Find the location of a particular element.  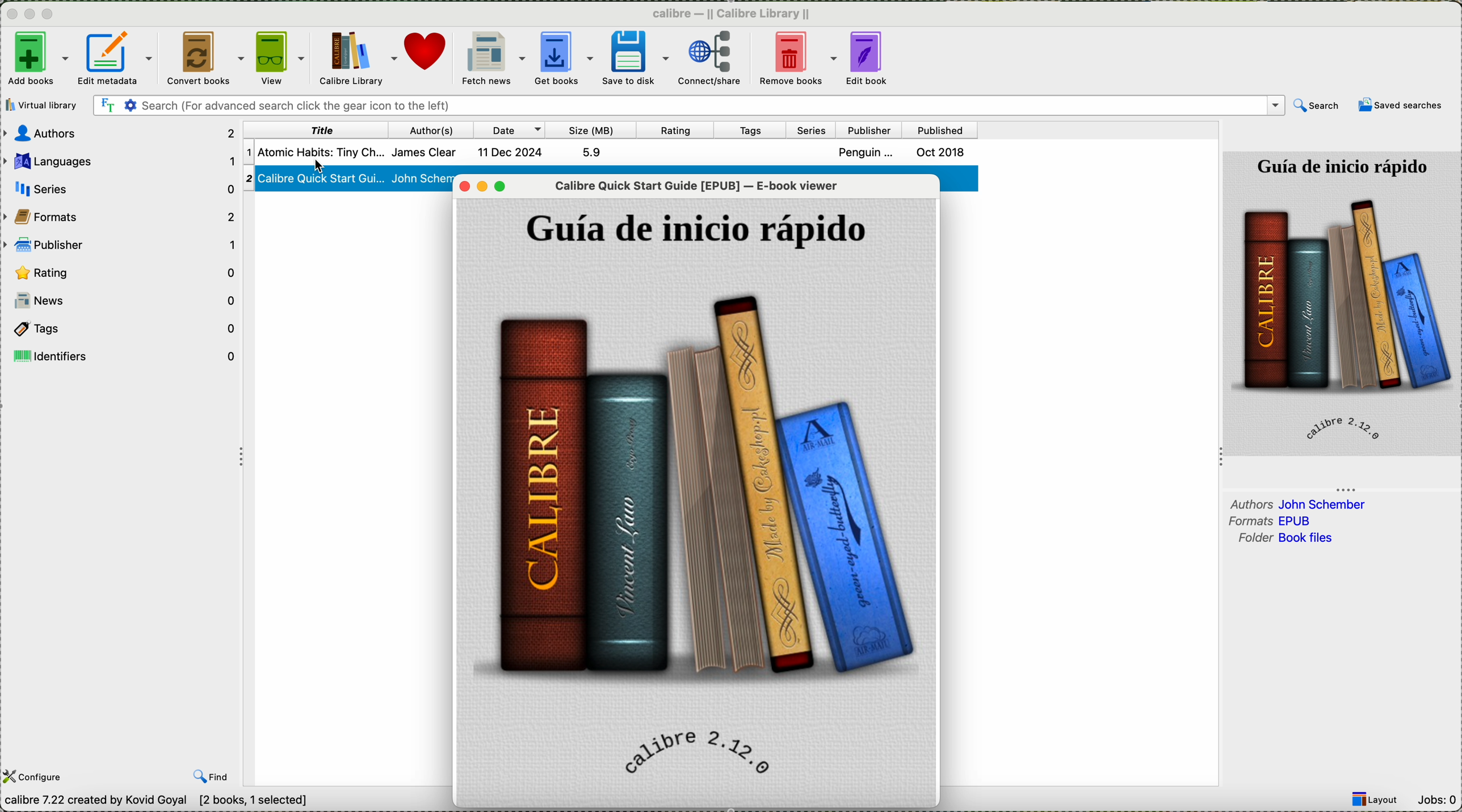

convert books is located at coordinates (207, 58).